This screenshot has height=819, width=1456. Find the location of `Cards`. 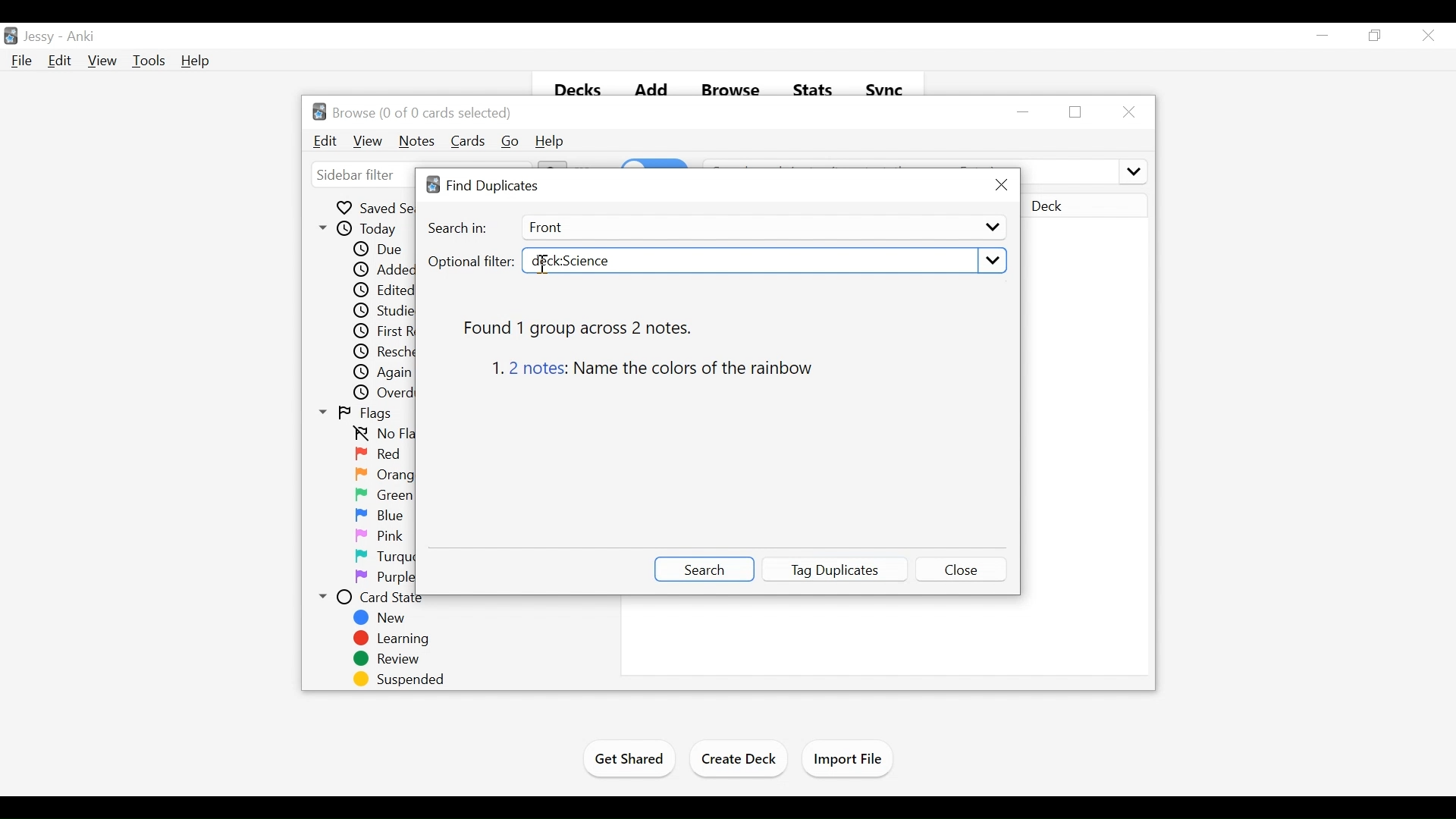

Cards is located at coordinates (469, 141).